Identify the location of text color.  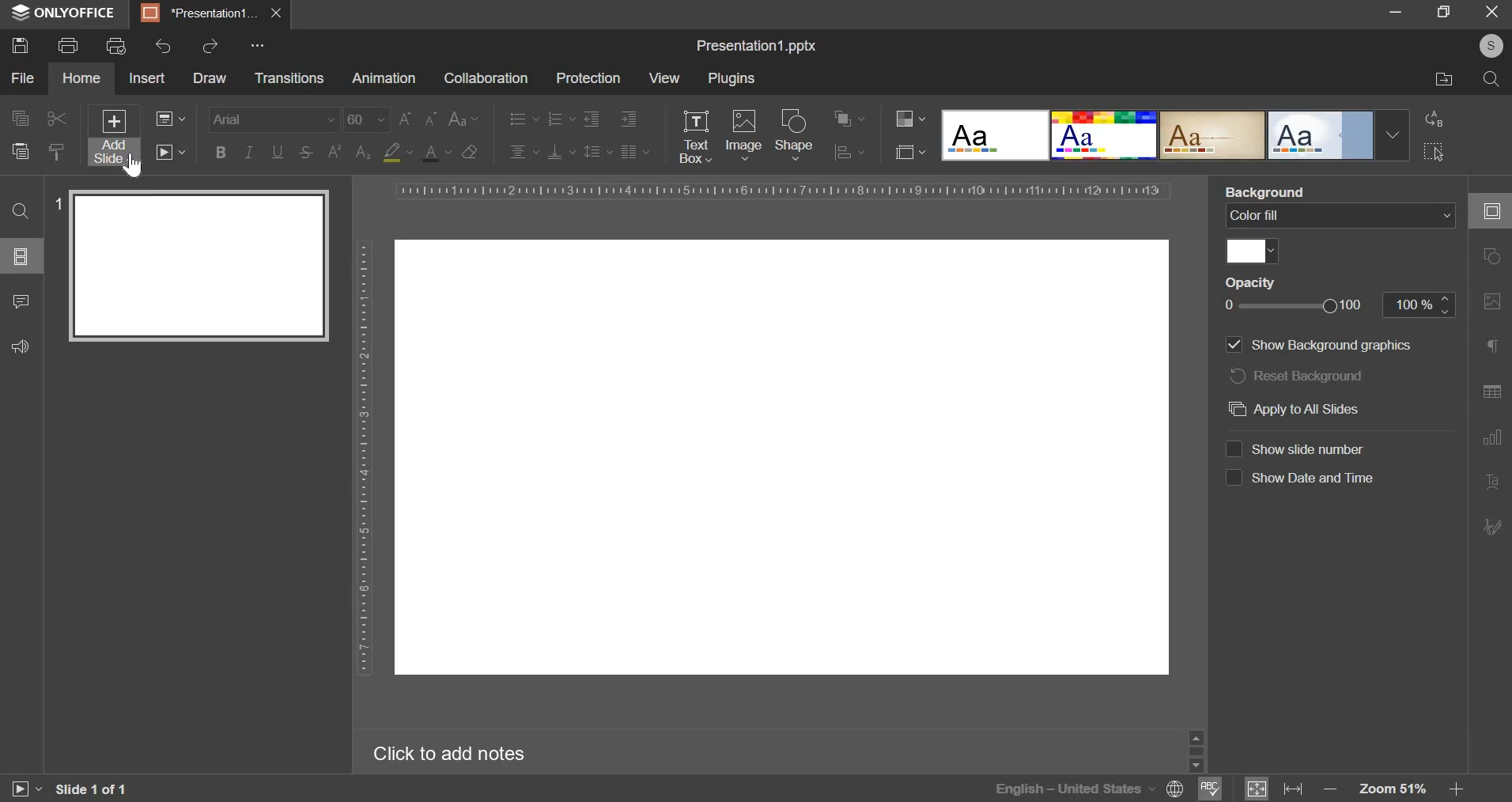
(436, 153).